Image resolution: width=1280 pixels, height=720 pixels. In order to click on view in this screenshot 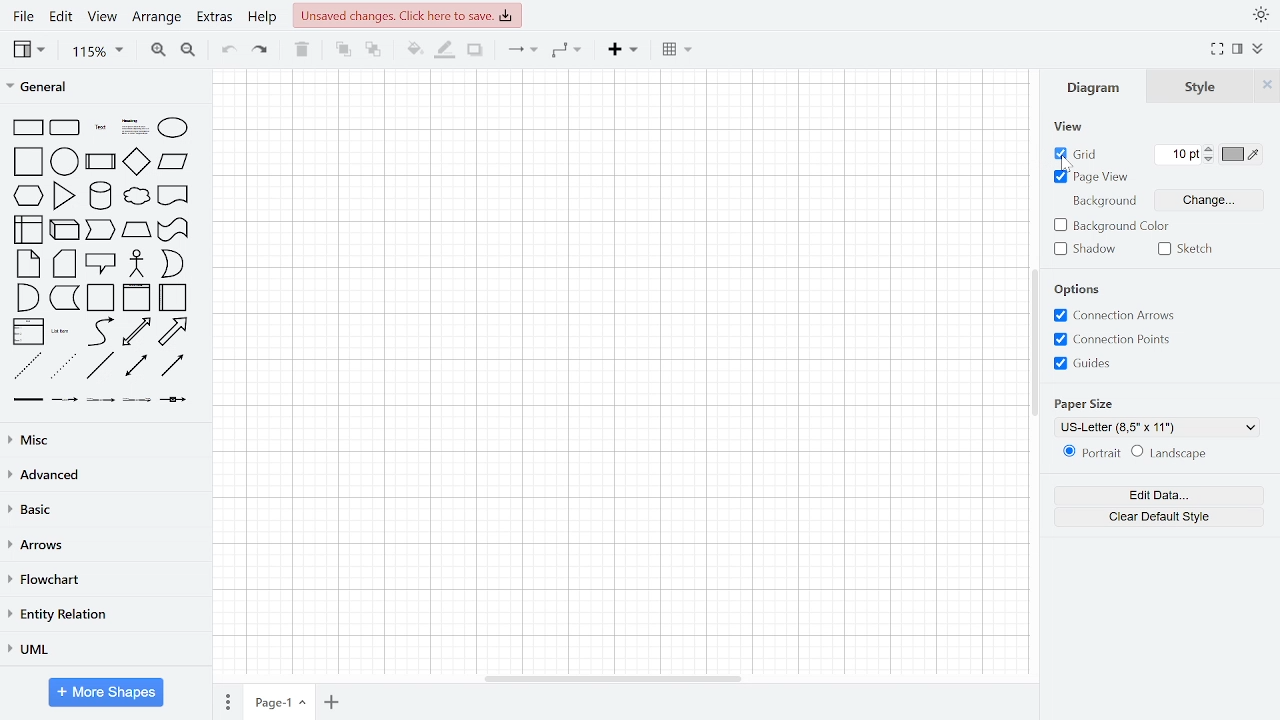, I will do `click(105, 17)`.